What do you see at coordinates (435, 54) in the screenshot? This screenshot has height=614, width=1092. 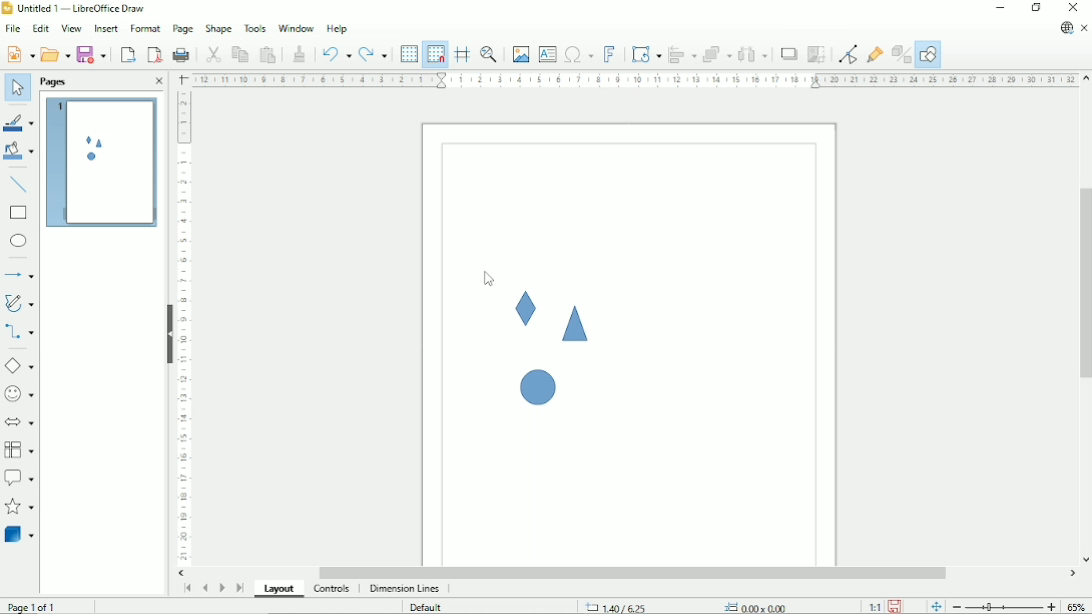 I see `Snap to grid` at bounding box center [435, 54].